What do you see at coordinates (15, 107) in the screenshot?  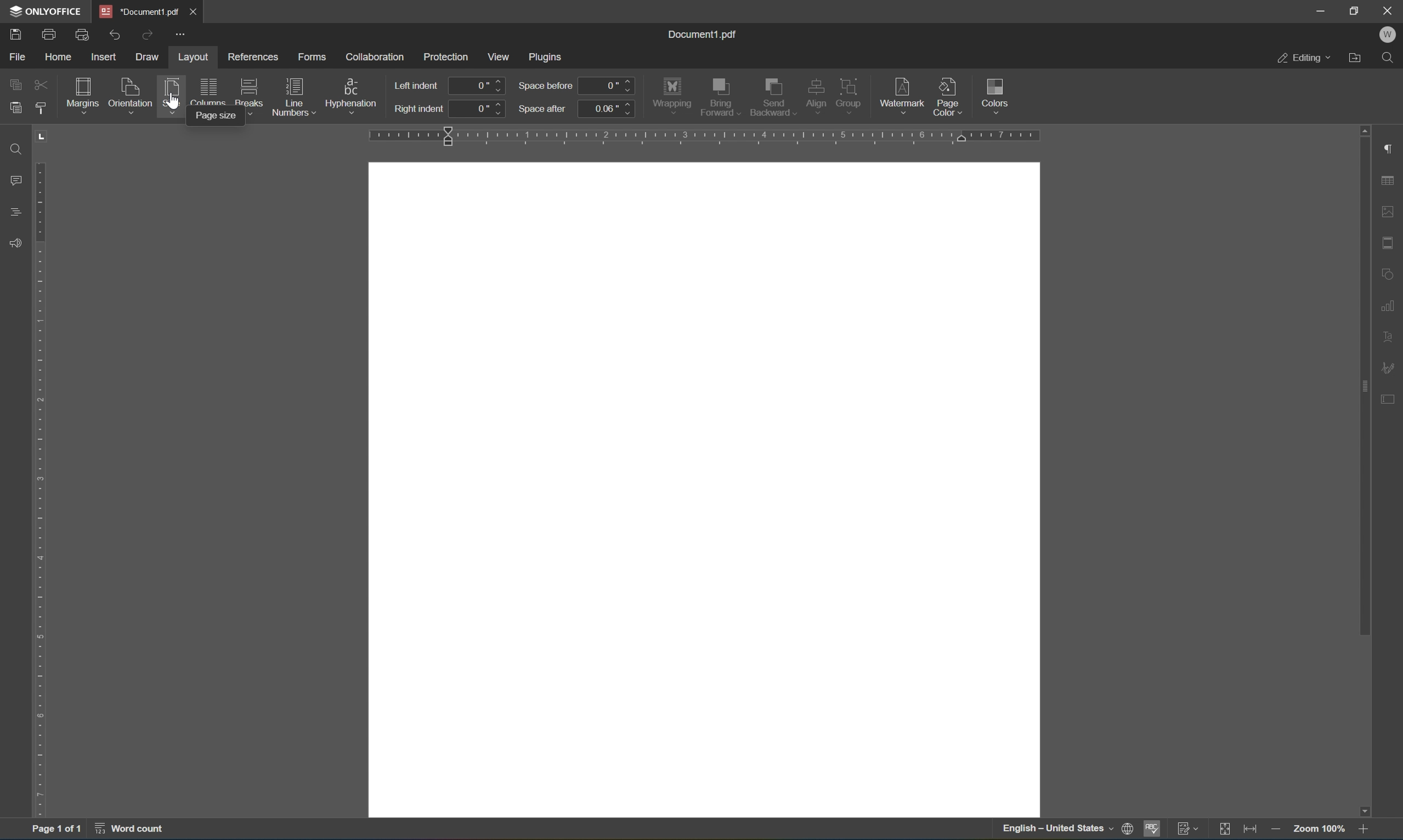 I see `paste` at bounding box center [15, 107].